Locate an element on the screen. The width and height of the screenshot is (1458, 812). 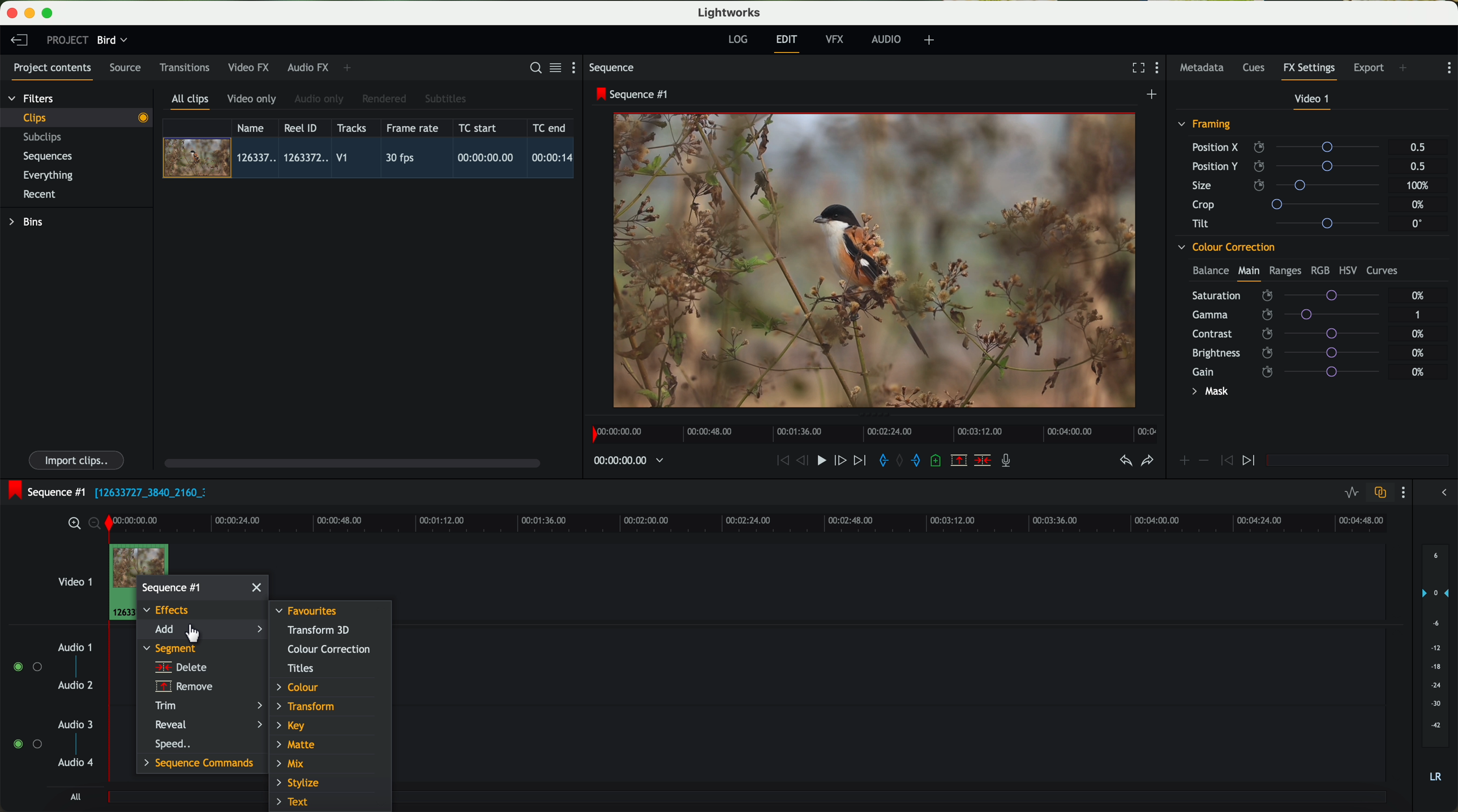
click on video is located at coordinates (372, 160).